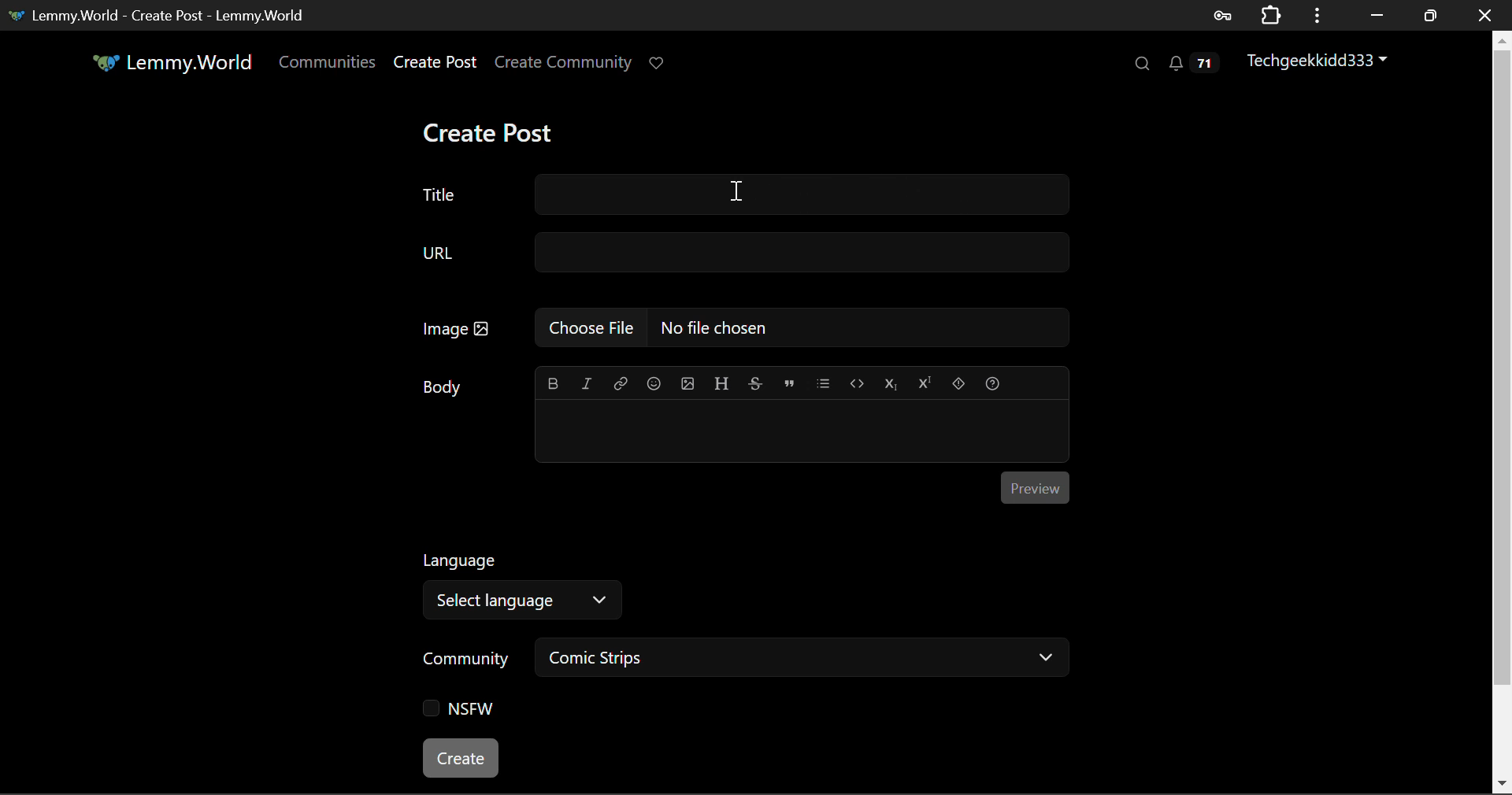 The width and height of the screenshot is (1512, 795). What do you see at coordinates (1315, 15) in the screenshot?
I see `Options` at bounding box center [1315, 15].